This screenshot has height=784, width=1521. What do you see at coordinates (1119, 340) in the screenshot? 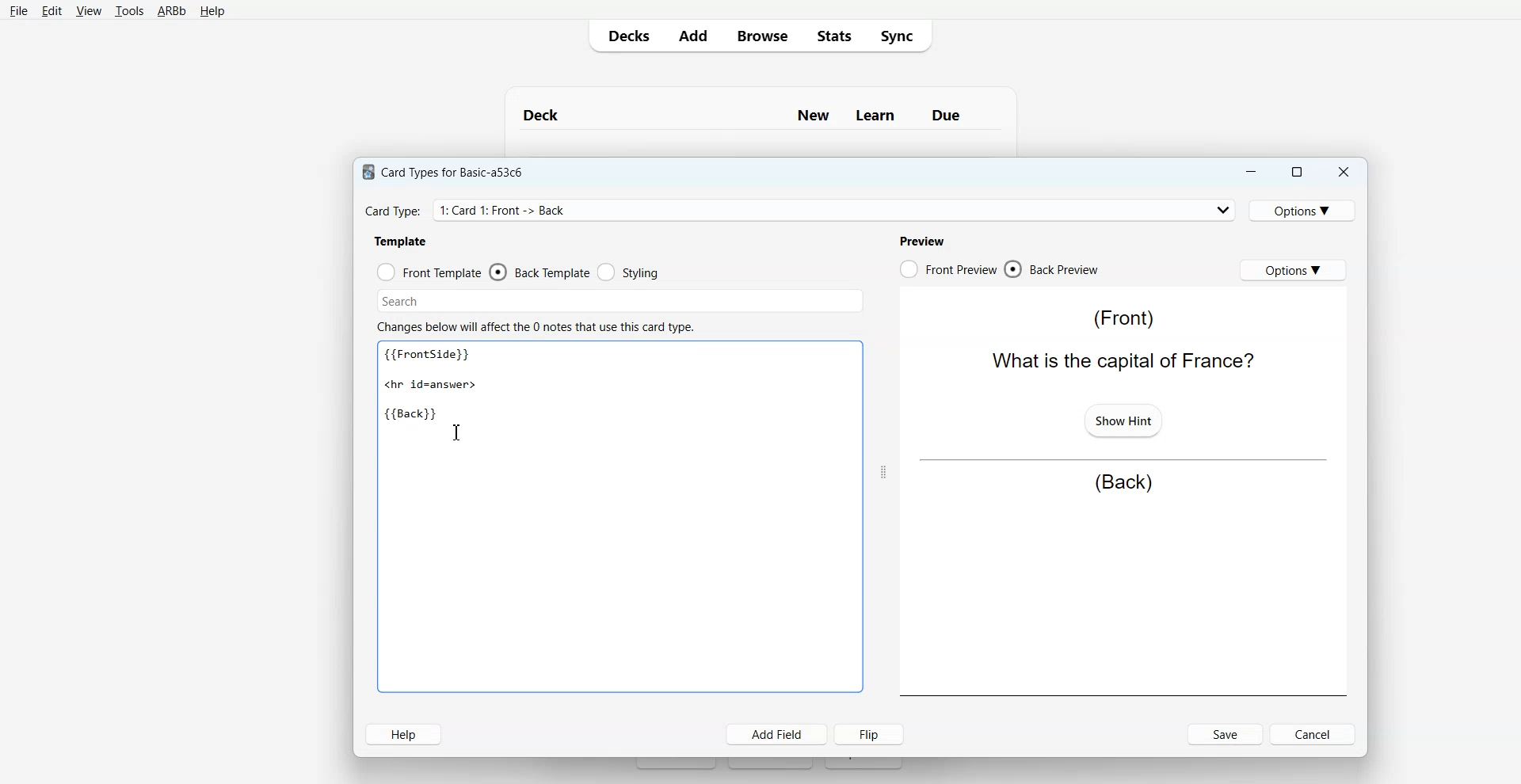
I see `(Front)
What is the capital of France?` at bounding box center [1119, 340].